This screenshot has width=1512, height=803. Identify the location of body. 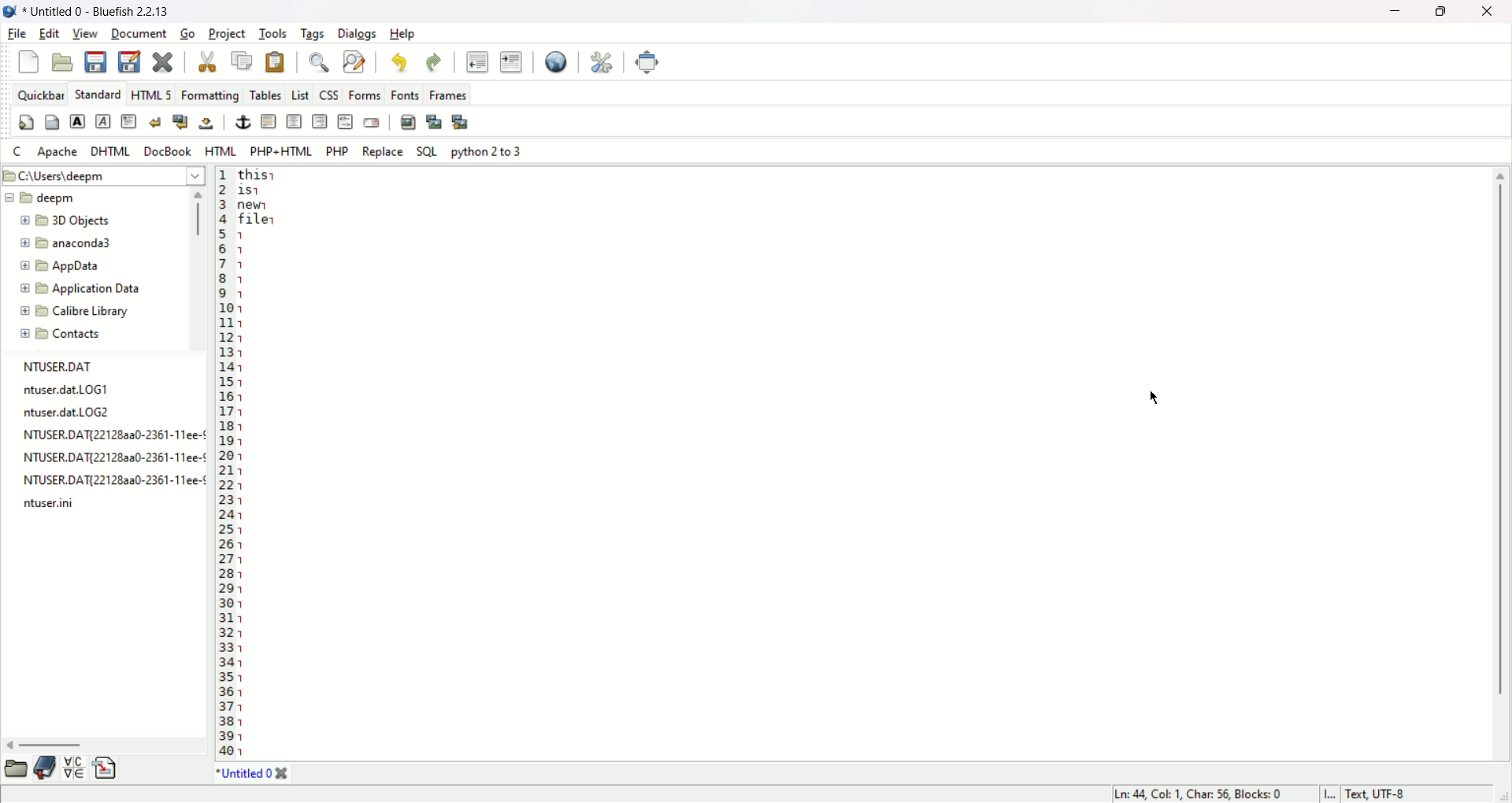
(52, 124).